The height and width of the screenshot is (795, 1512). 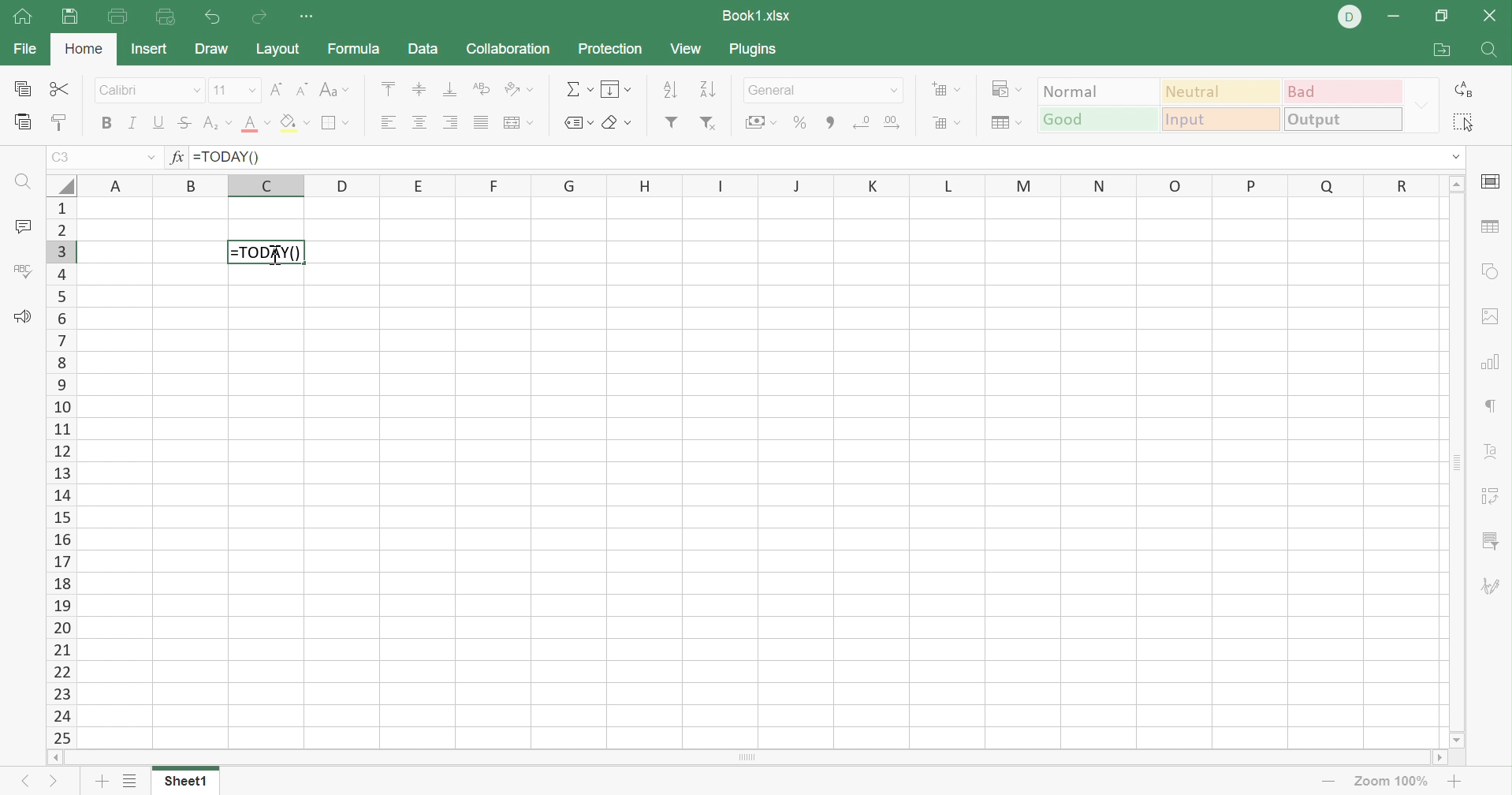 I want to click on Protection, so click(x=612, y=50).